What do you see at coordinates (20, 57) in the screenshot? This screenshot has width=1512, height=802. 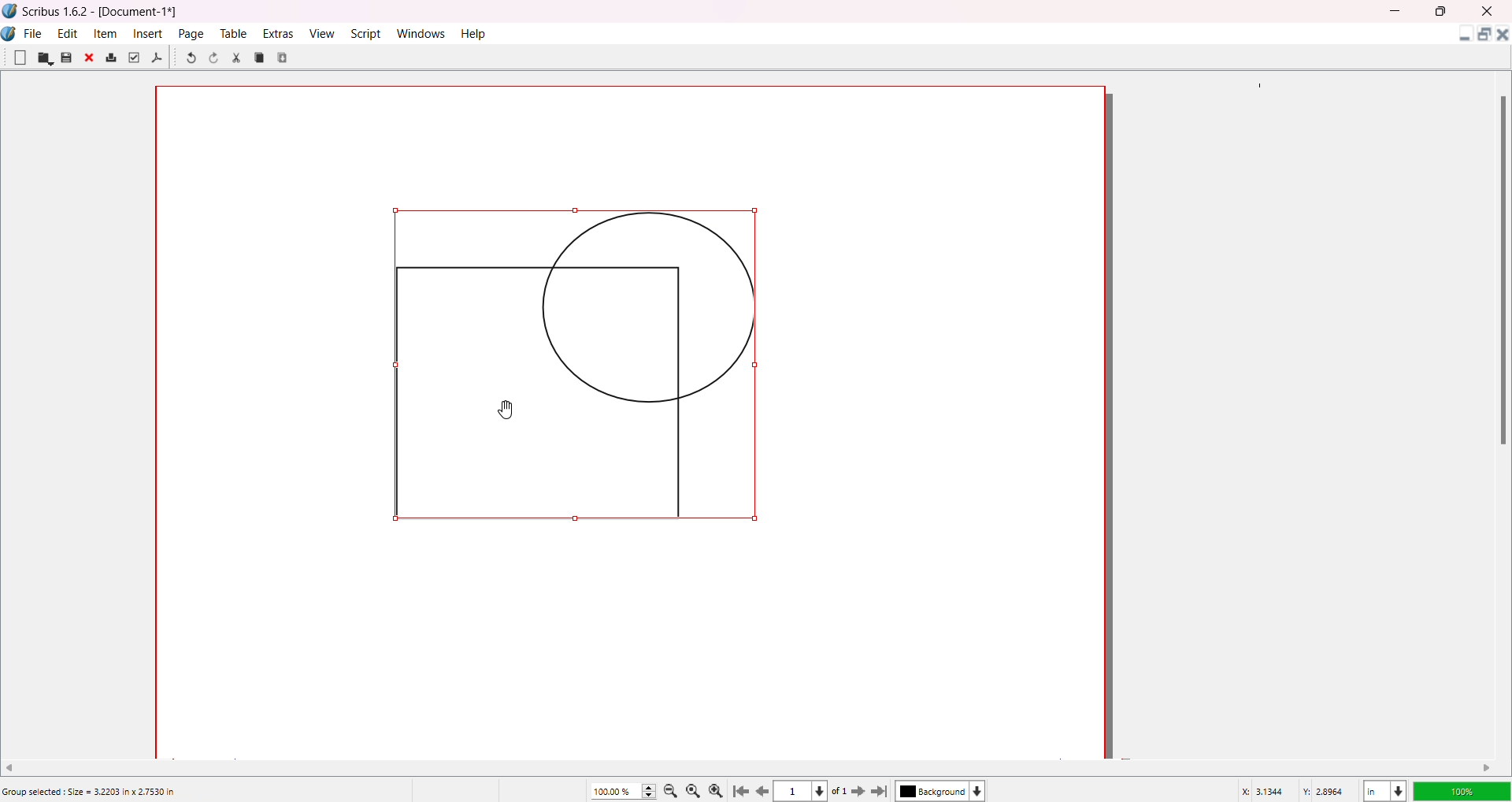 I see `New` at bounding box center [20, 57].